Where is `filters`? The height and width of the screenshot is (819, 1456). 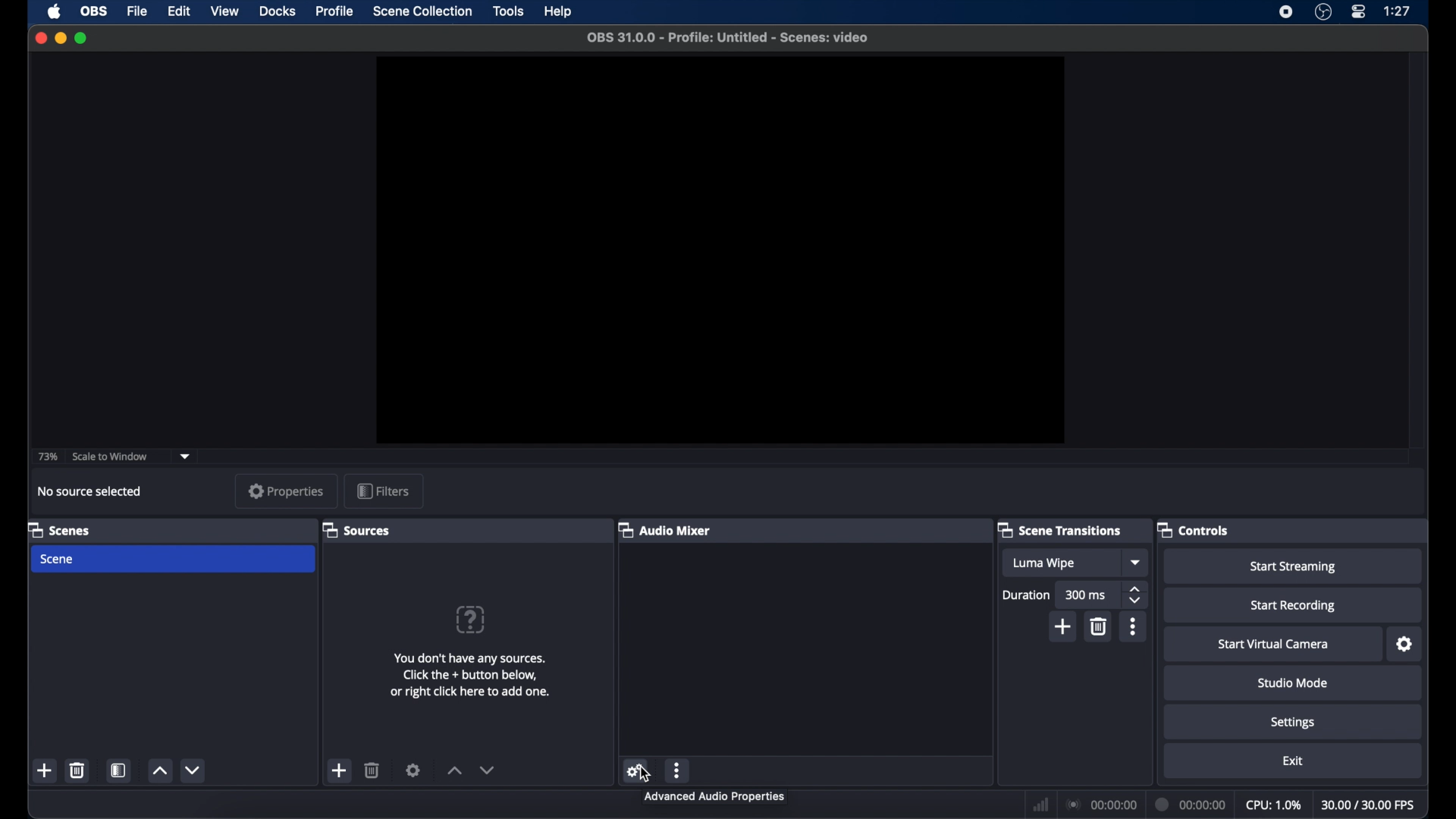
filters is located at coordinates (382, 491).